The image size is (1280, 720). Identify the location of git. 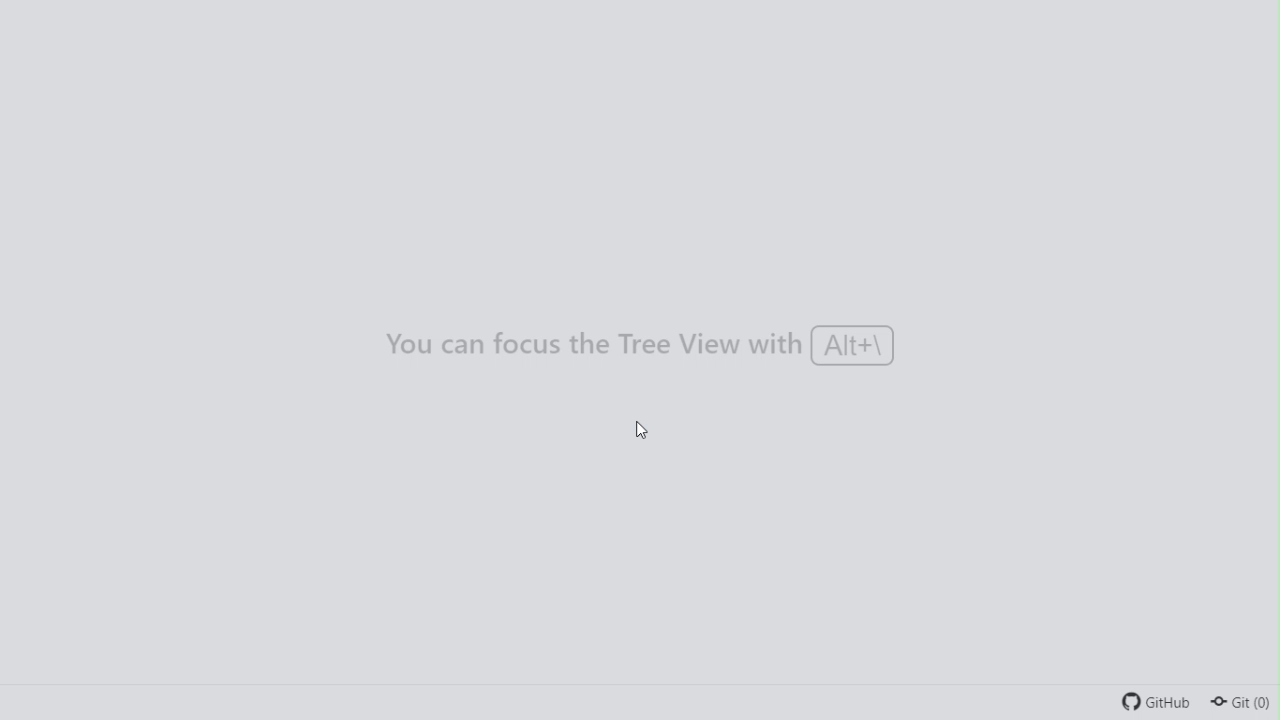
(1242, 704).